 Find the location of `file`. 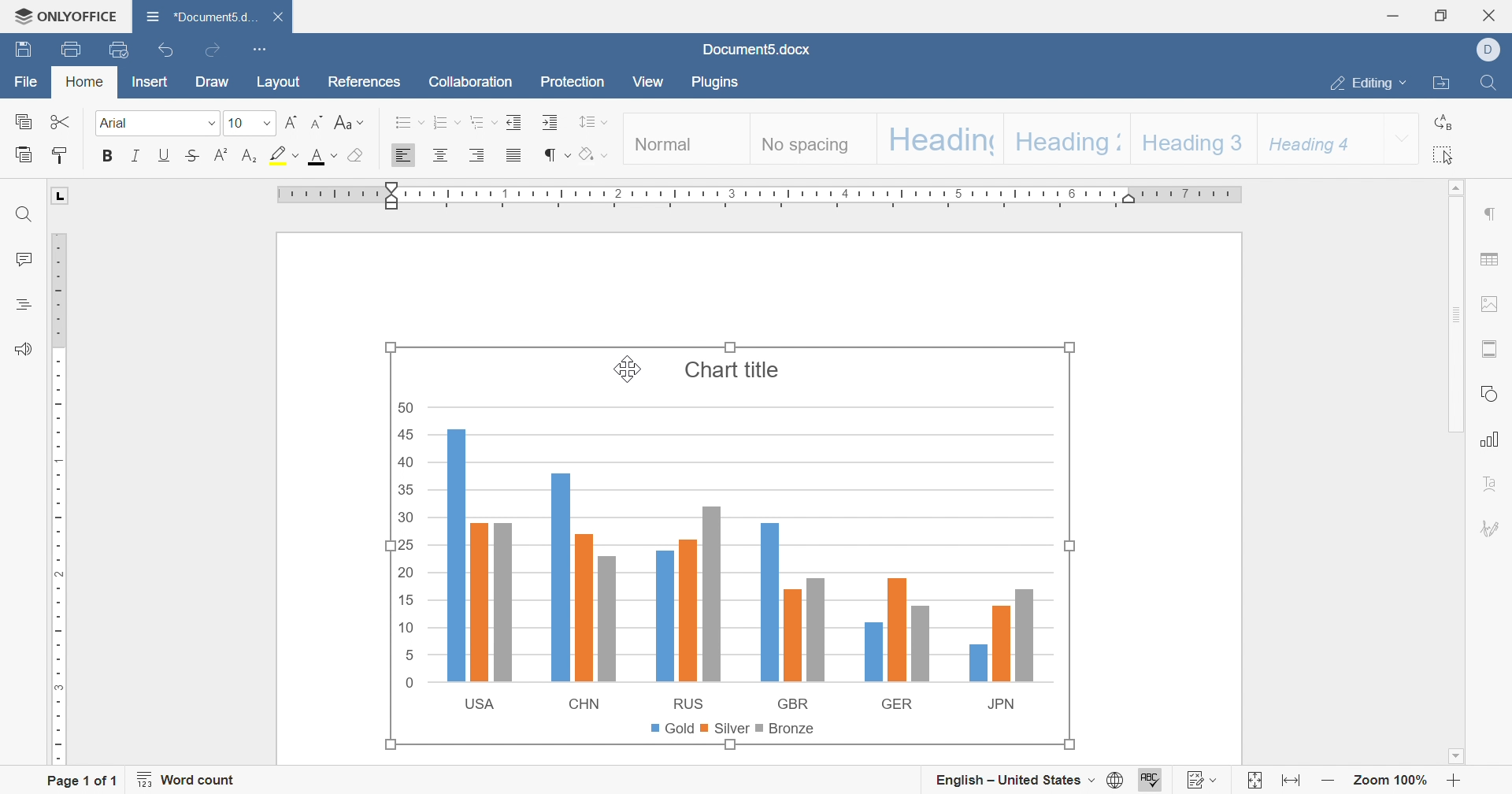

file is located at coordinates (26, 82).